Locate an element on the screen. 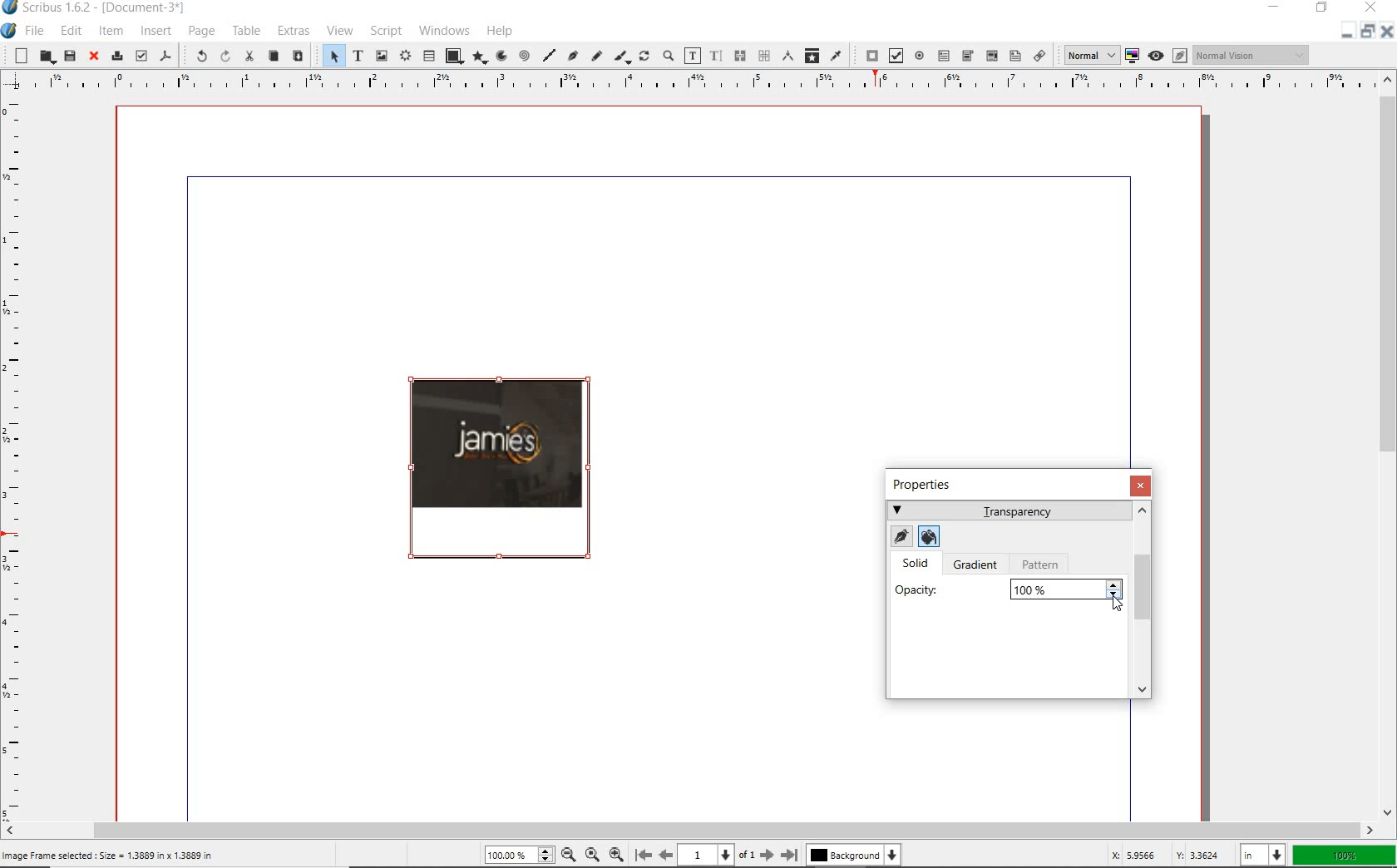 This screenshot has height=868, width=1397. table is located at coordinates (427, 56).